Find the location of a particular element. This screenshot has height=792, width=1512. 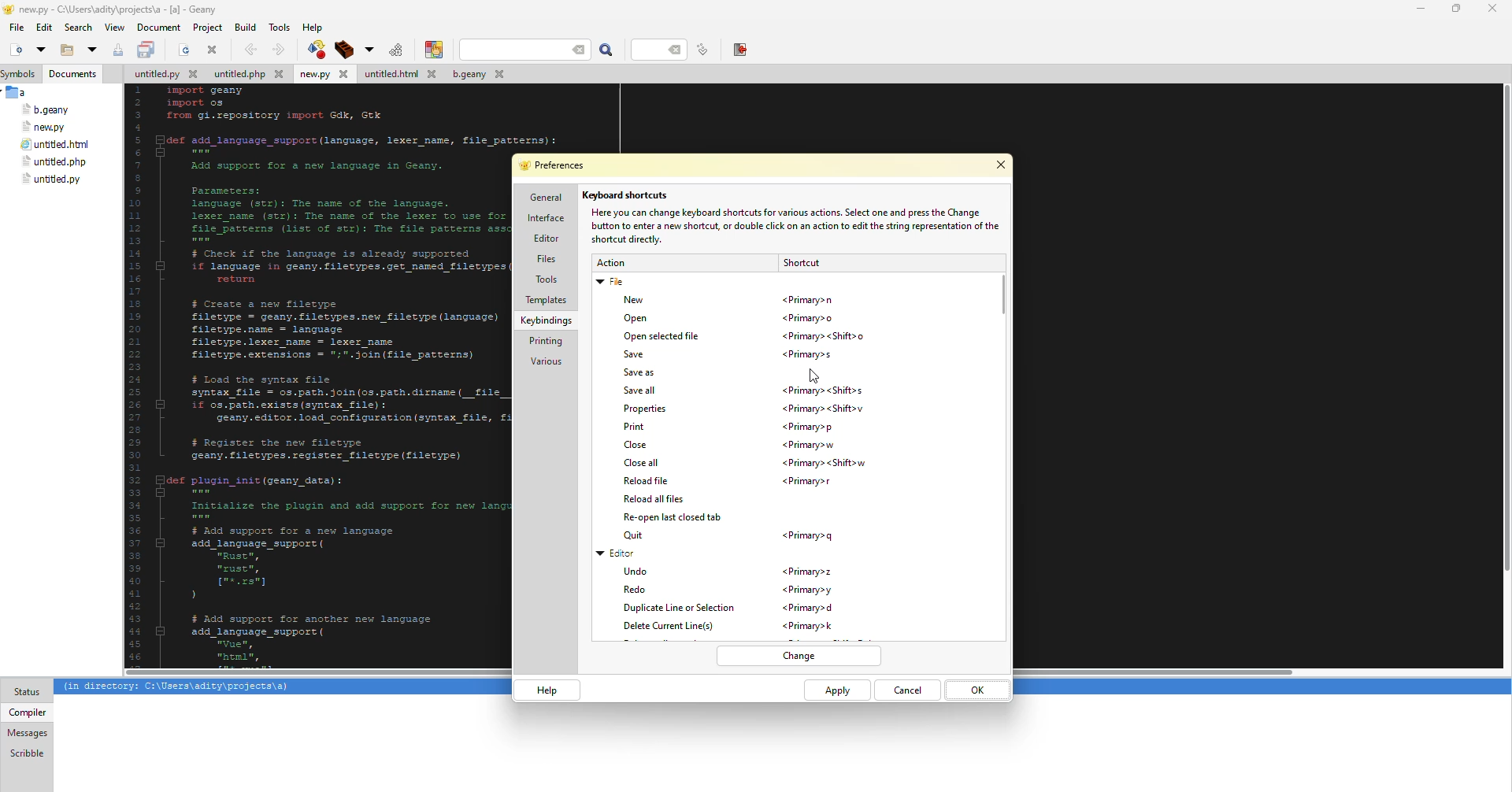

 is located at coordinates (1500, 379).